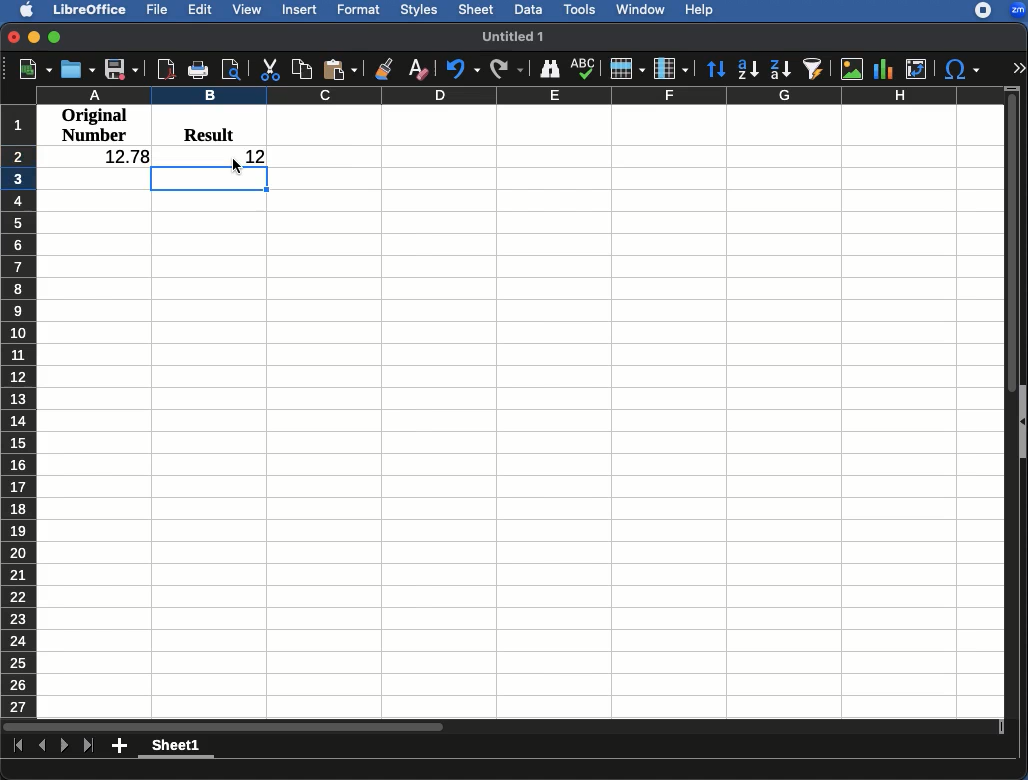 This screenshot has height=780, width=1028. Describe the element at coordinates (301, 68) in the screenshot. I see `Copy` at that location.